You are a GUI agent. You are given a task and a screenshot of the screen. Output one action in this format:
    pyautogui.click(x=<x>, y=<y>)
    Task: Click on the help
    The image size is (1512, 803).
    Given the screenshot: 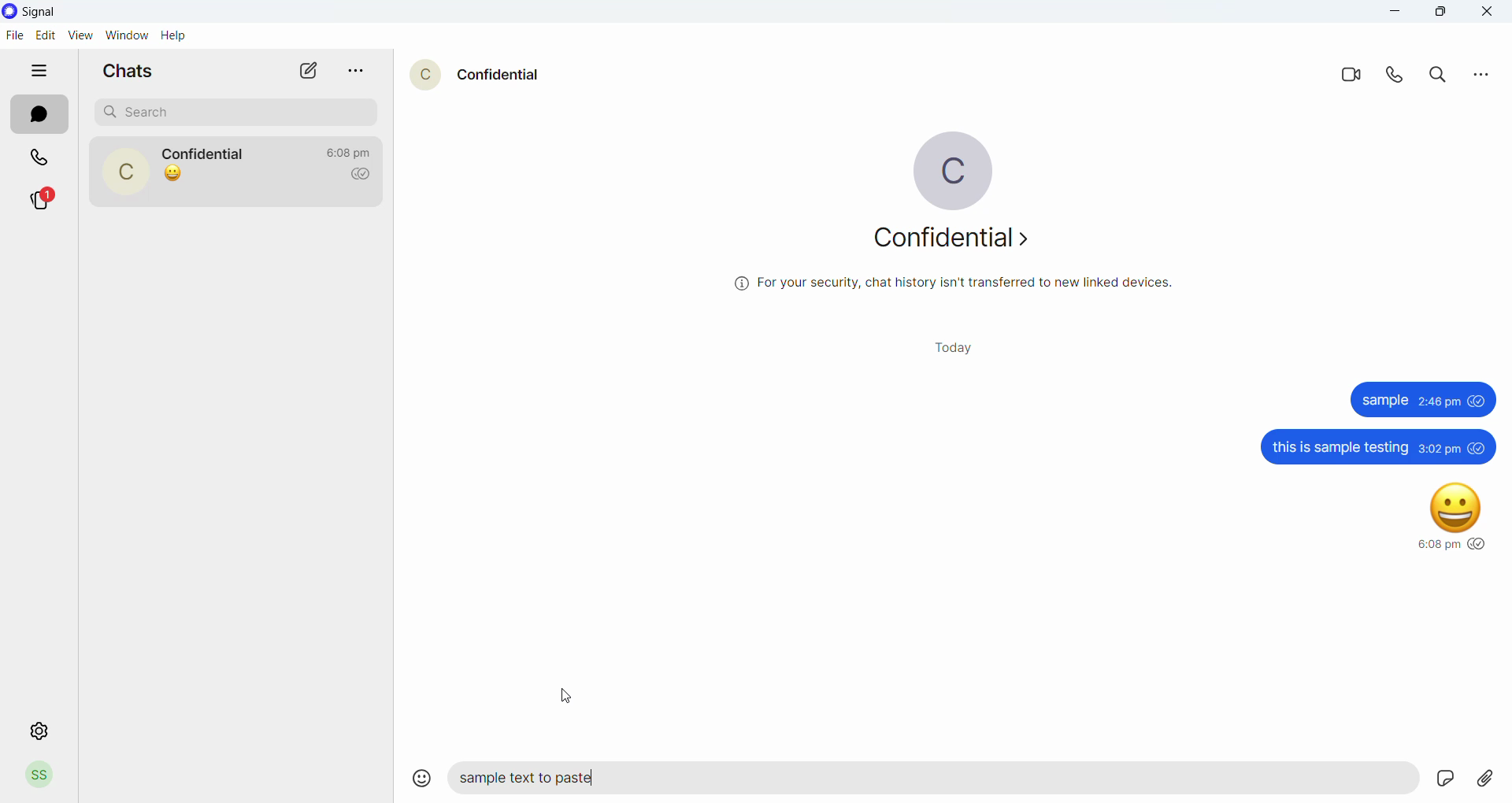 What is the action you would take?
    pyautogui.click(x=176, y=37)
    